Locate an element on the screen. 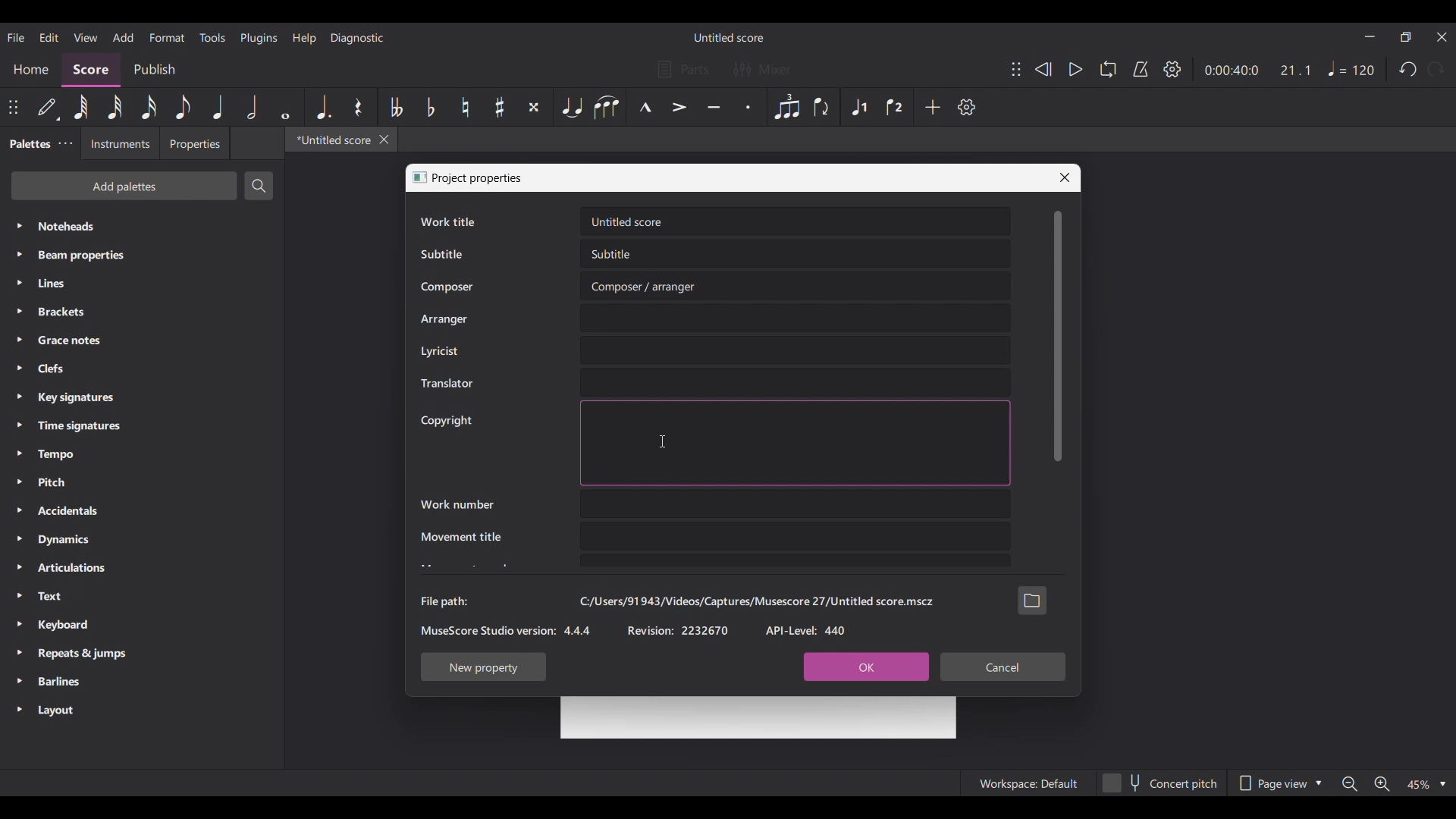 This screenshot has width=1456, height=819. Work title is located at coordinates (447, 221).